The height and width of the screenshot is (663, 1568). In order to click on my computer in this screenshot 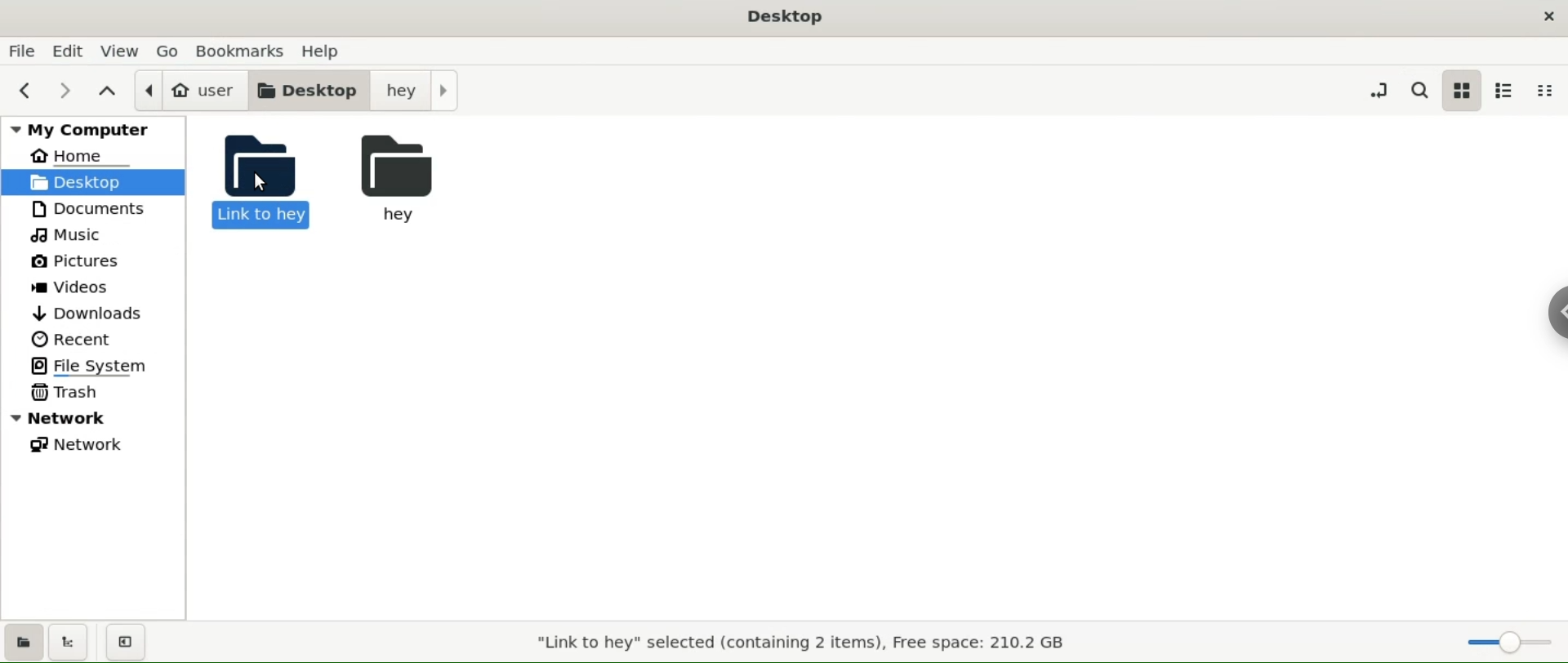, I will do `click(96, 131)`.